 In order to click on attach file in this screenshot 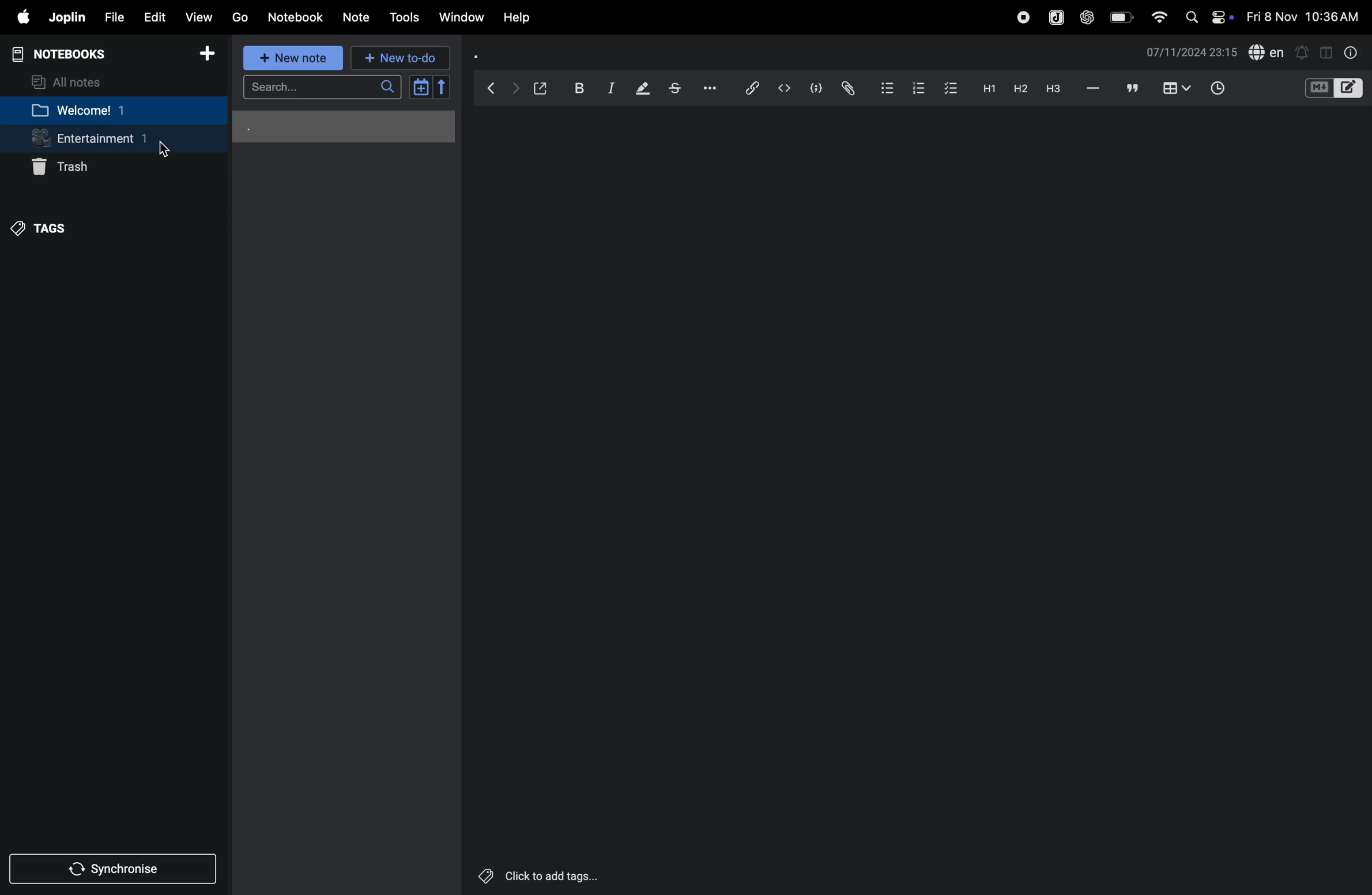, I will do `click(845, 88)`.